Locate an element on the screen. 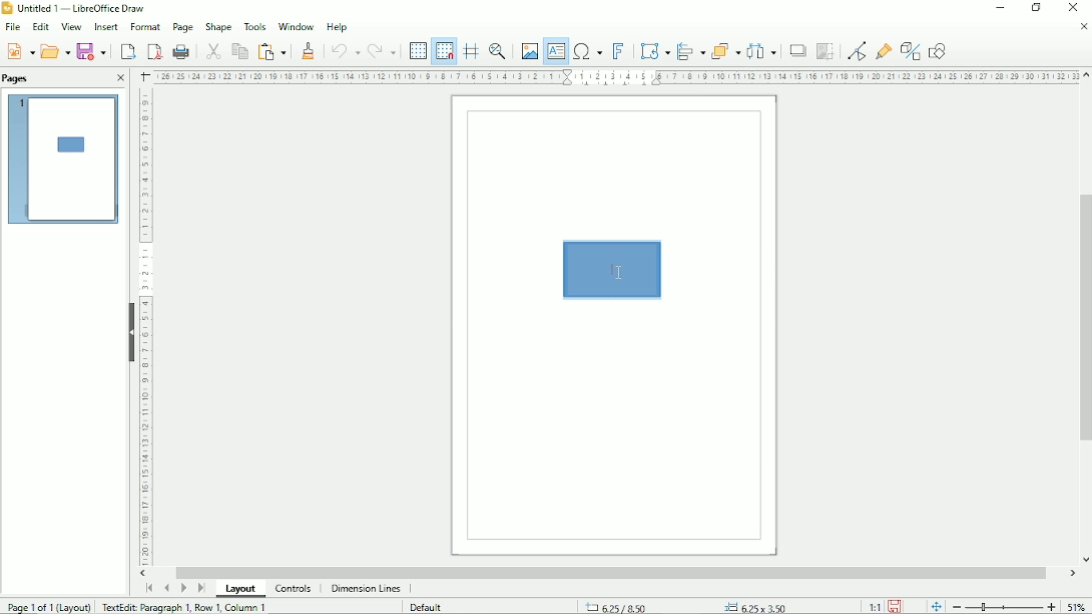 This screenshot has height=614, width=1092. Open is located at coordinates (54, 51).